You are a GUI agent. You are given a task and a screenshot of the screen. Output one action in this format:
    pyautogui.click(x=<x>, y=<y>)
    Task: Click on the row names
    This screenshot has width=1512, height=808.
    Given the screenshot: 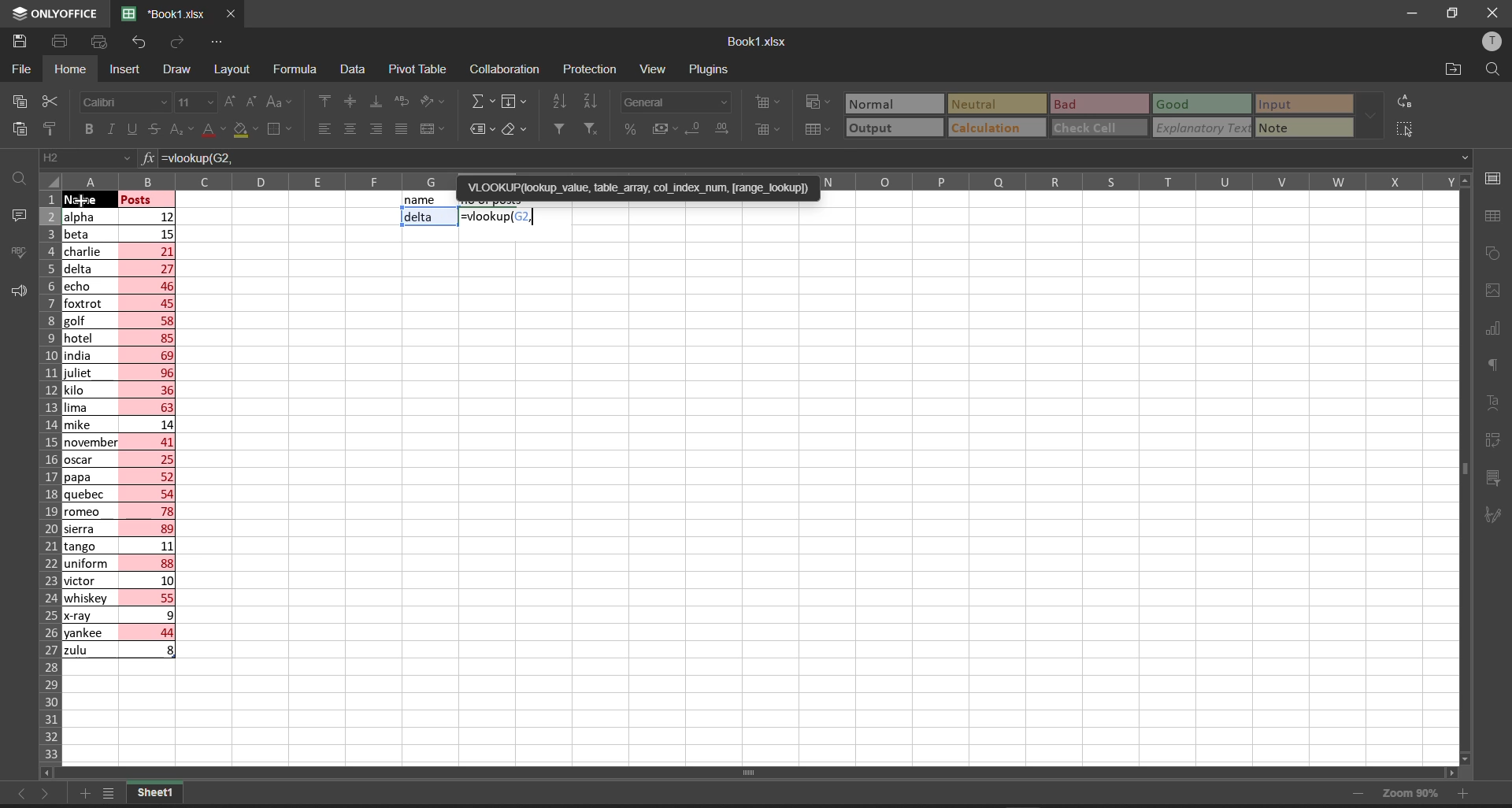 What is the action you would take?
    pyautogui.click(x=46, y=480)
    